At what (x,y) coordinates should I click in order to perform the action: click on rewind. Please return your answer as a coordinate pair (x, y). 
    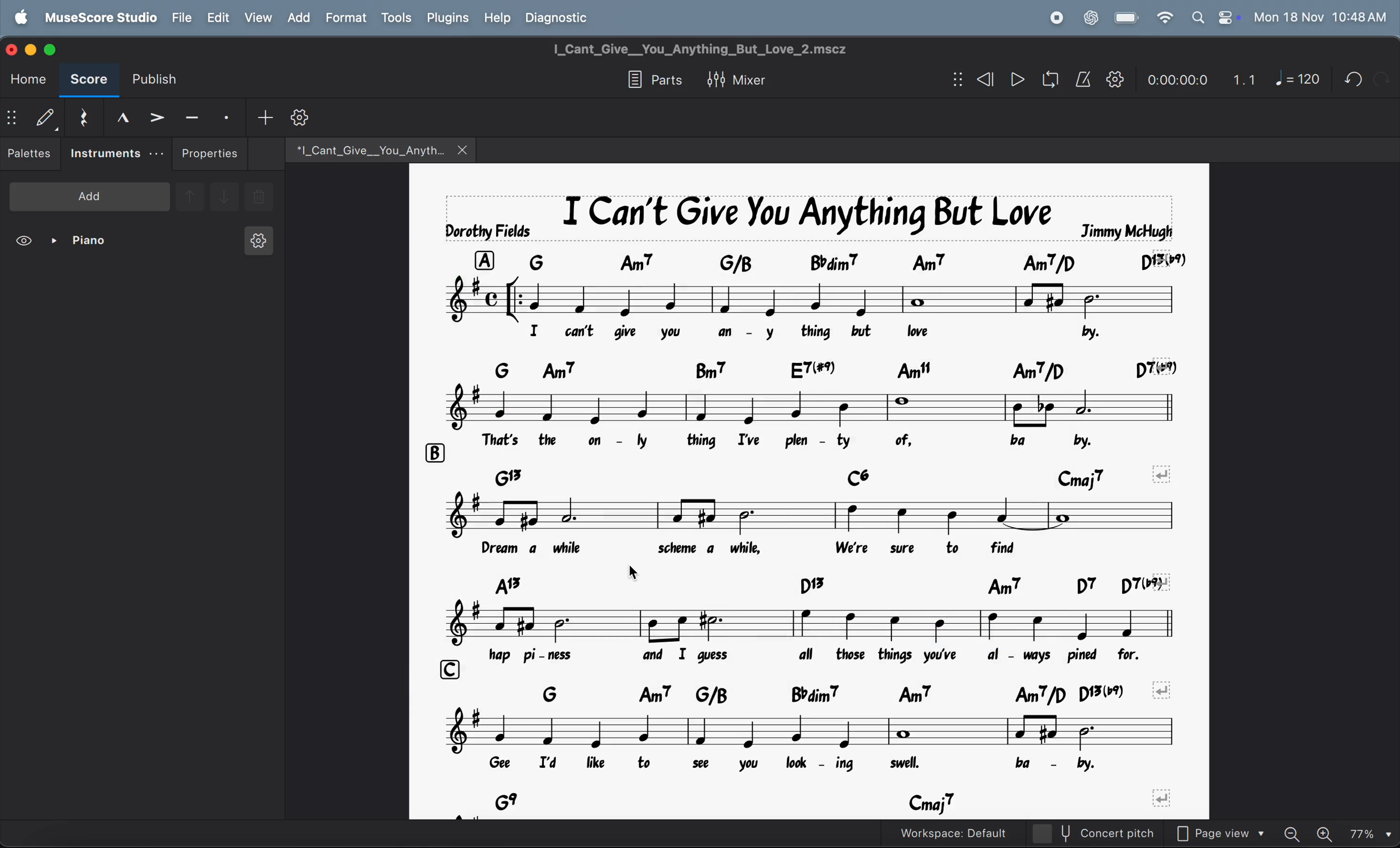
    Looking at the image, I should click on (983, 80).